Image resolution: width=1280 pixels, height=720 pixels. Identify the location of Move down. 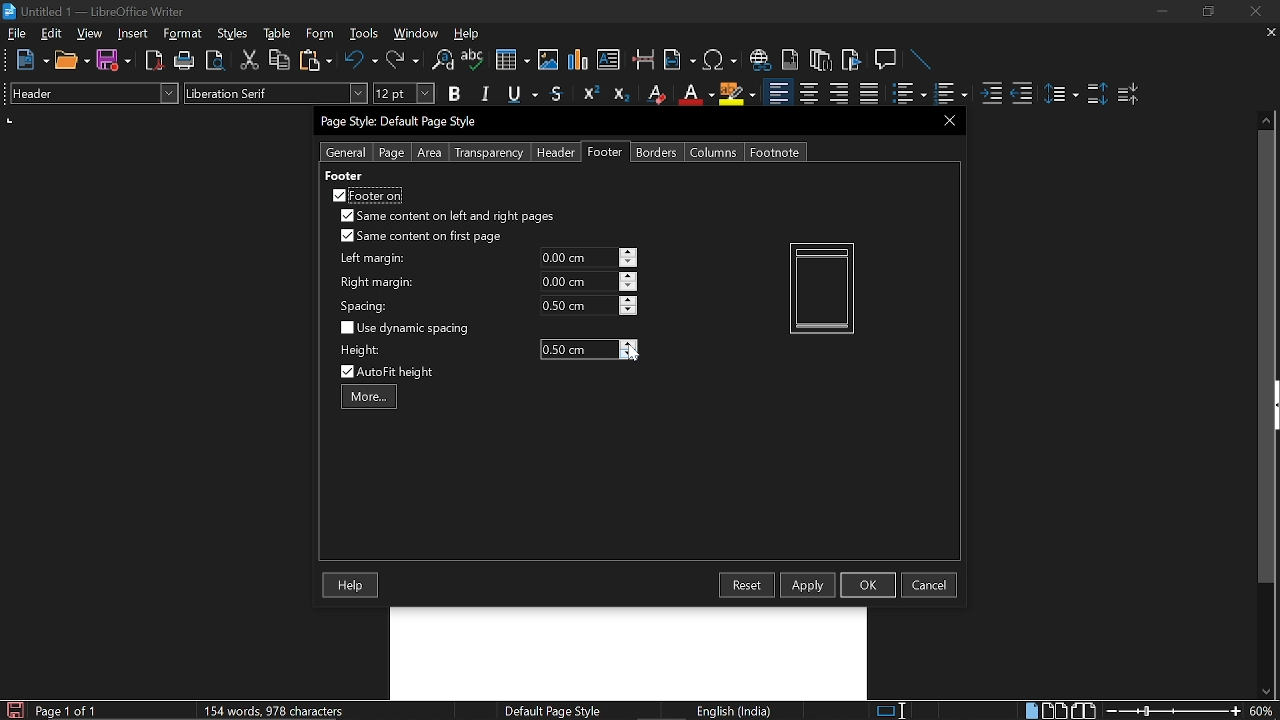
(1265, 692).